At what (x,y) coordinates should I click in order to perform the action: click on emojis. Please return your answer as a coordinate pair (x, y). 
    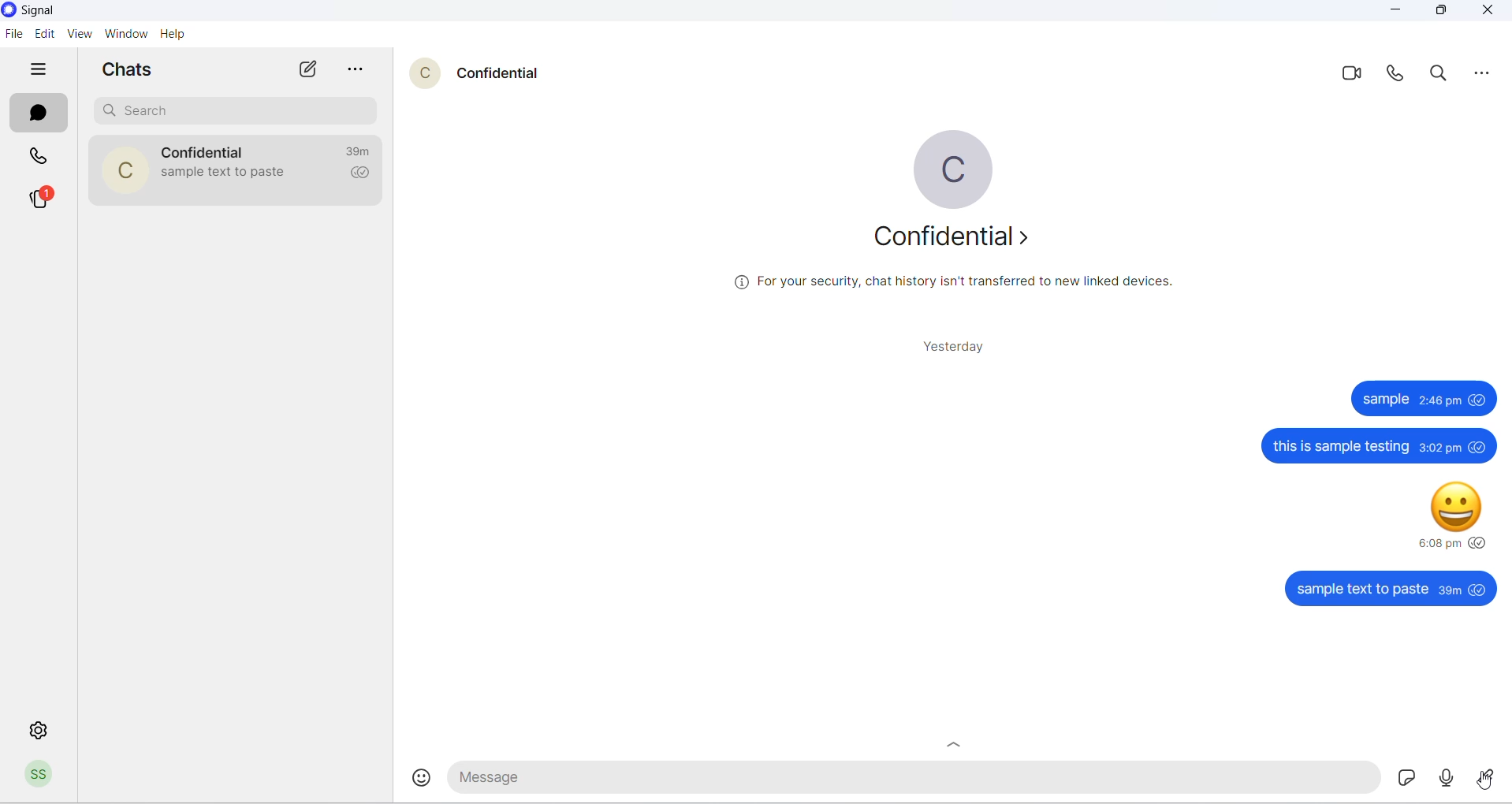
    Looking at the image, I should click on (423, 778).